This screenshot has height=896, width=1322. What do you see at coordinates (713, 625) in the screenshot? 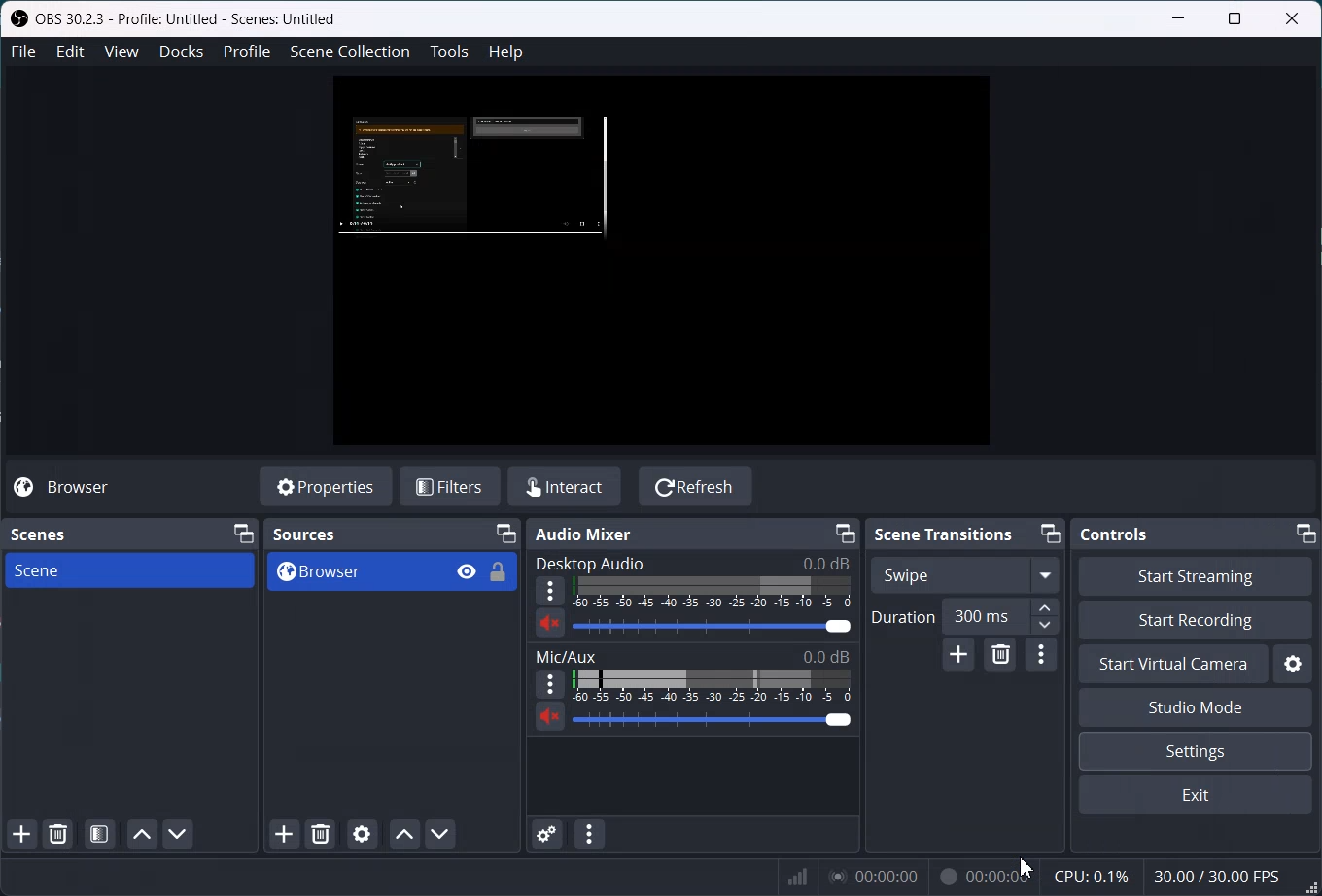
I see `Volume Adjuster` at bounding box center [713, 625].